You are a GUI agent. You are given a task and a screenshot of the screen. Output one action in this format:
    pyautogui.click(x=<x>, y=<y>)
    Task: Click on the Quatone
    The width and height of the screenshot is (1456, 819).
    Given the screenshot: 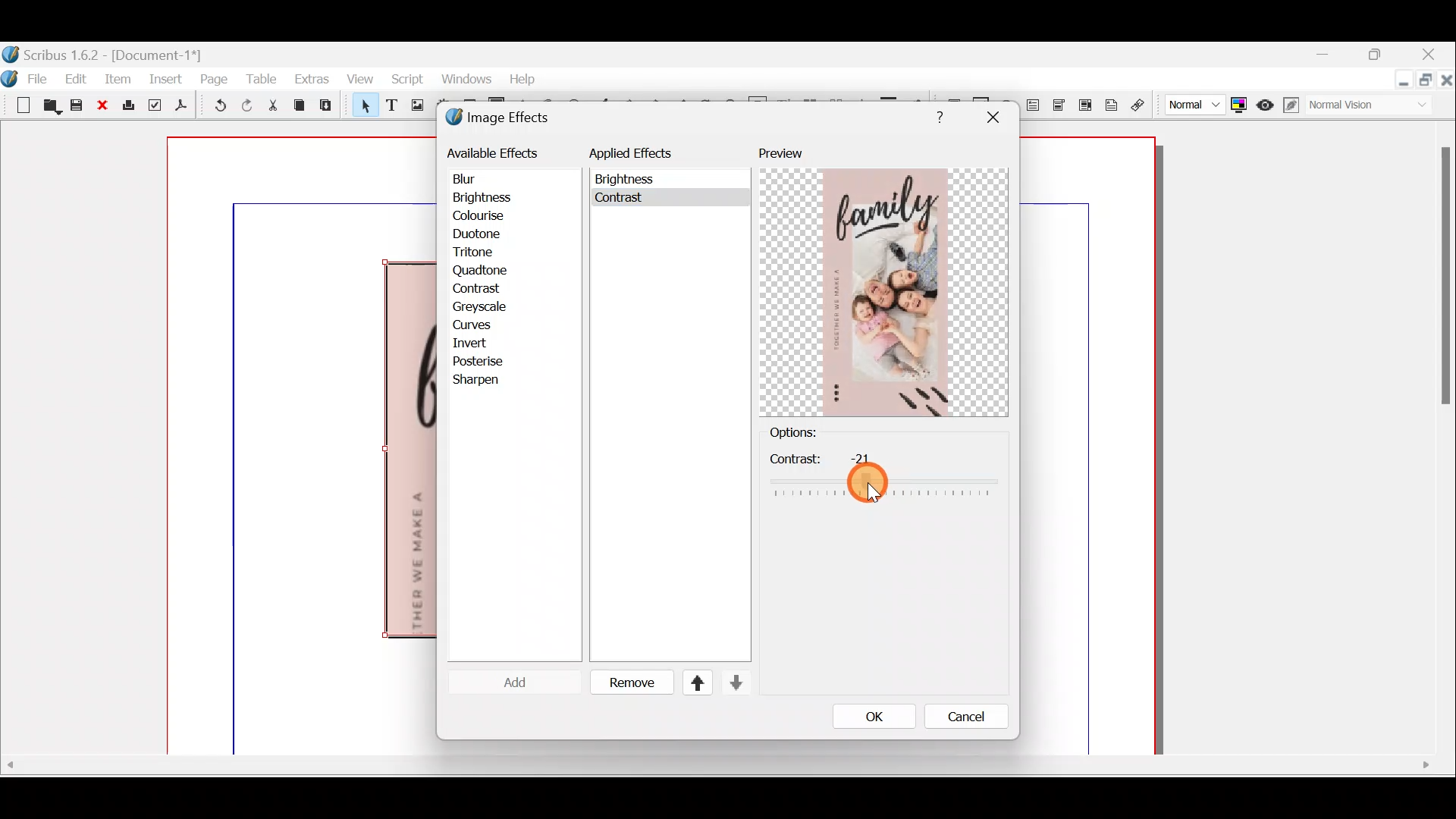 What is the action you would take?
    pyautogui.click(x=480, y=271)
    